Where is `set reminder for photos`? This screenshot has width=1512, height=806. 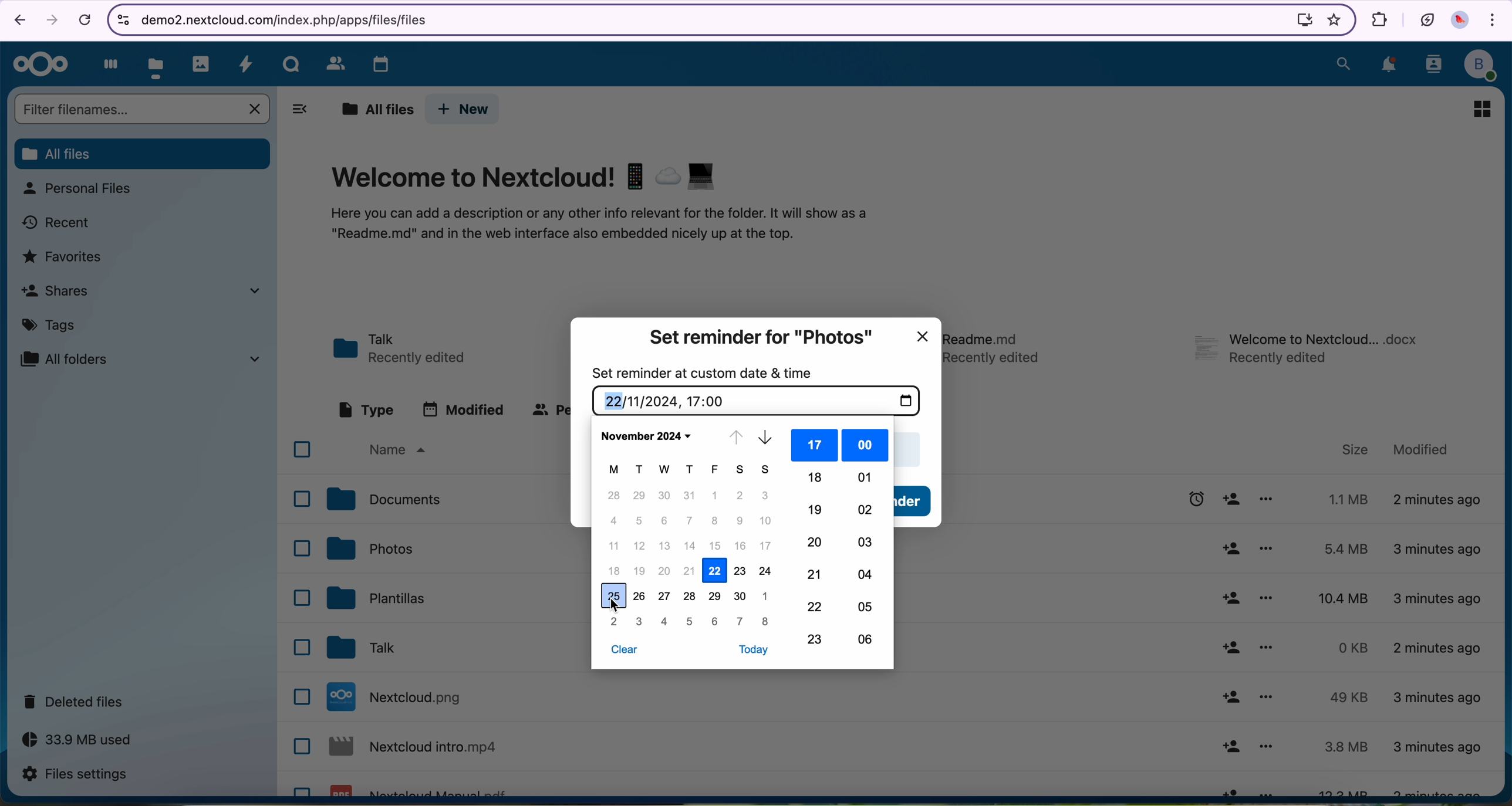 set reminder for photos is located at coordinates (761, 337).